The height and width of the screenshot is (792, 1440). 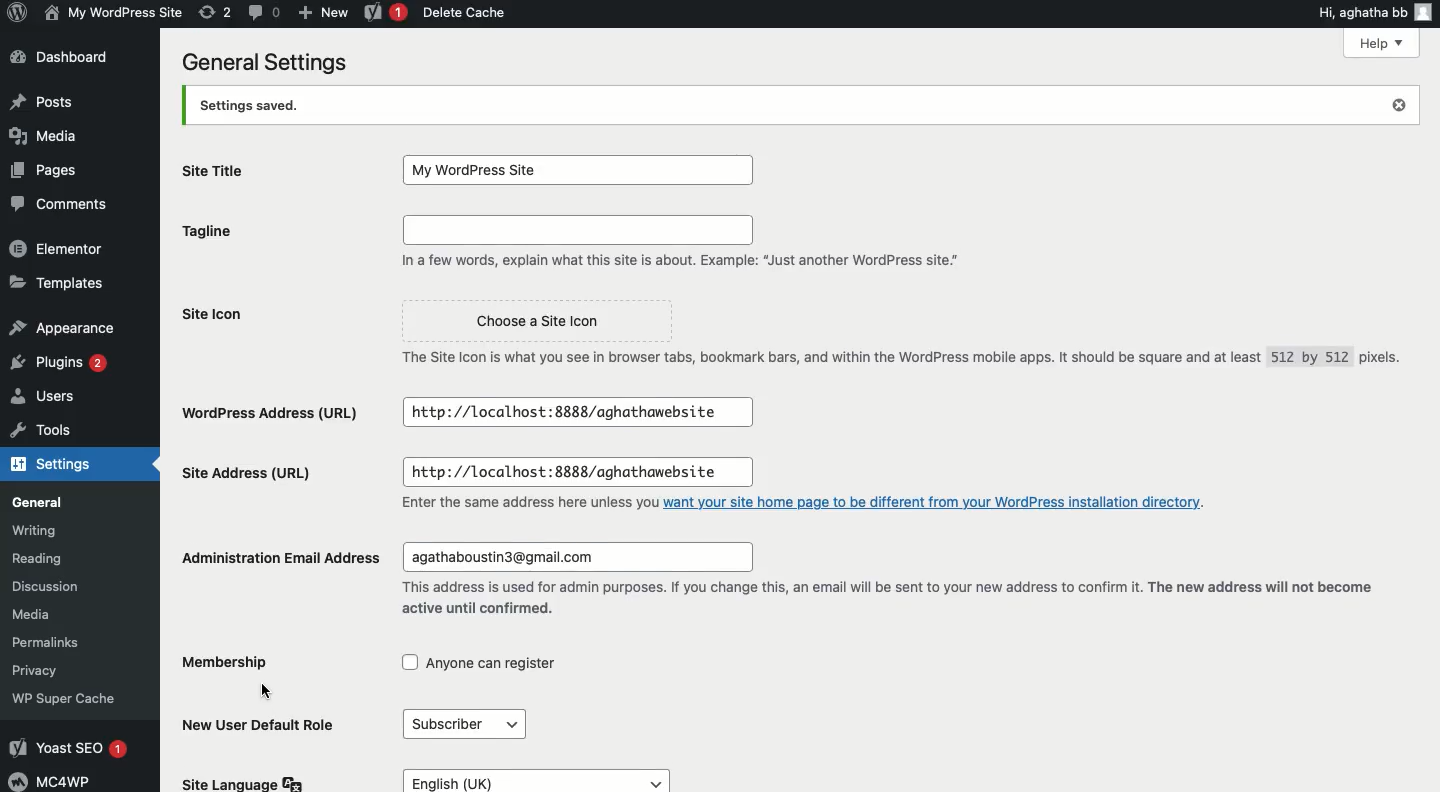 What do you see at coordinates (38, 556) in the screenshot?
I see `Reading` at bounding box center [38, 556].